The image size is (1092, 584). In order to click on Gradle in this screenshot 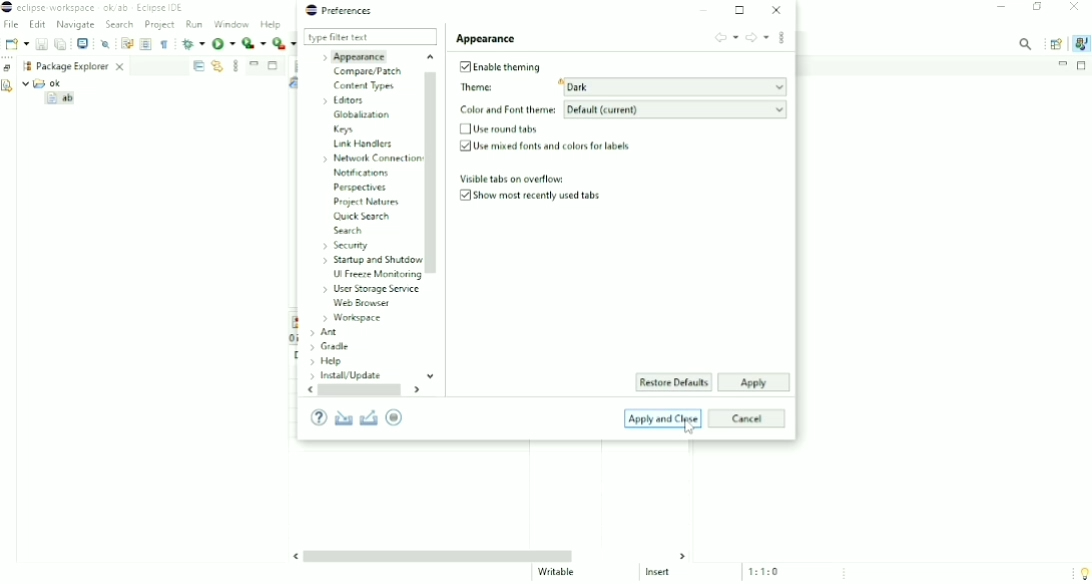, I will do `click(330, 347)`.